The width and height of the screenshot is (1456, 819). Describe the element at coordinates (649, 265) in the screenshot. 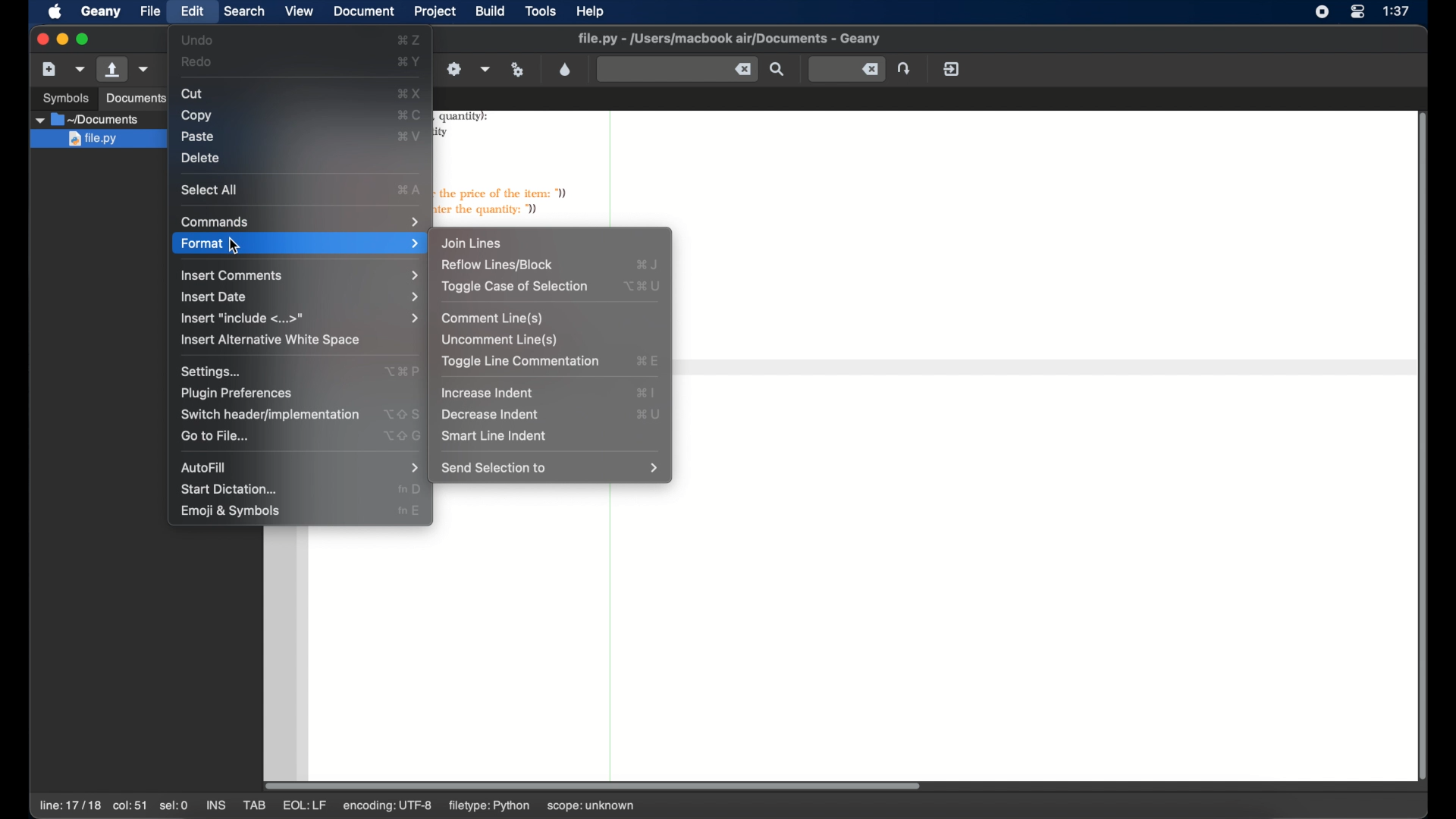

I see `reflow lines/block` at that location.